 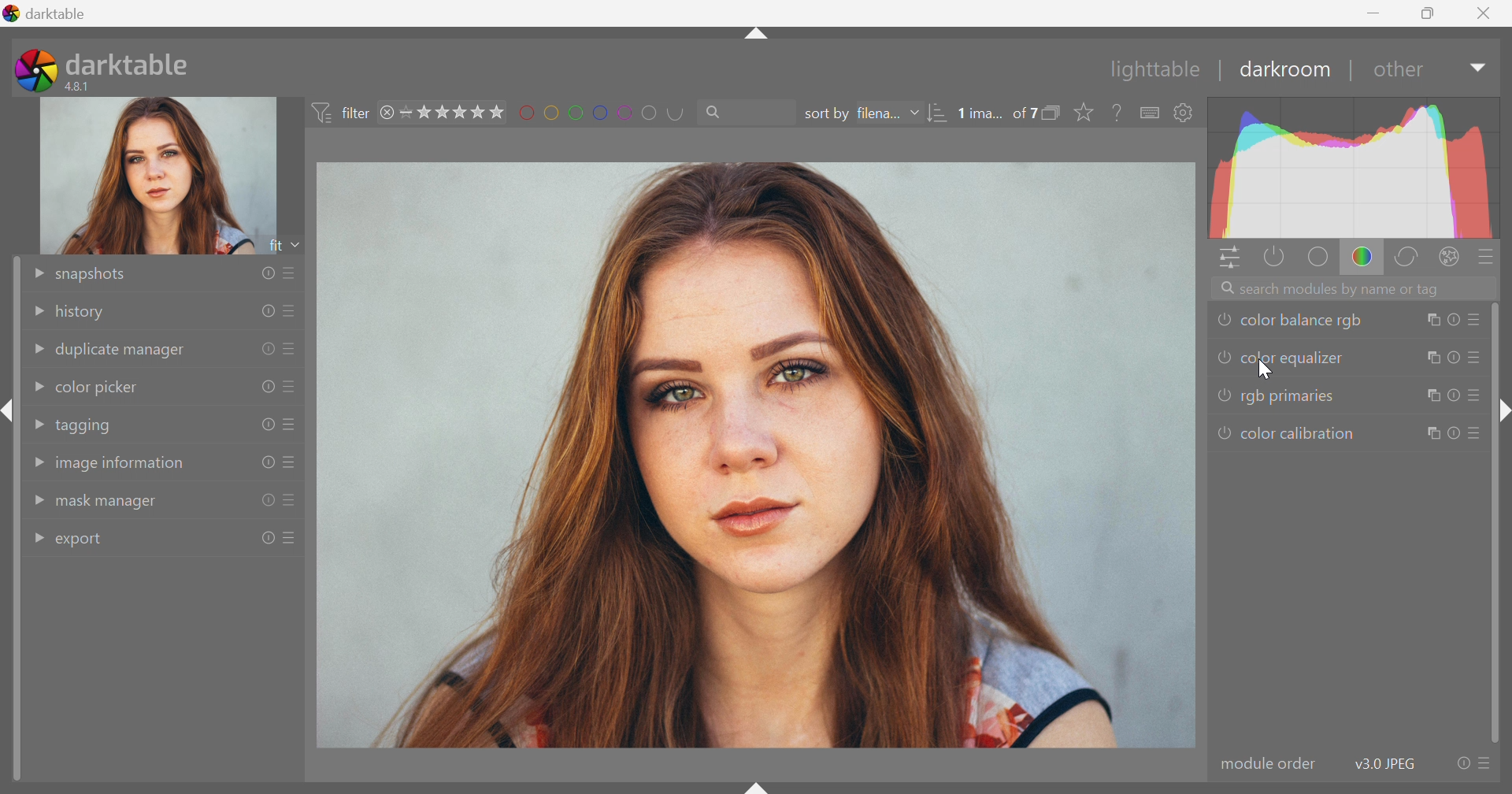 I want to click on shift+ctrl+r, so click(x=1503, y=411).